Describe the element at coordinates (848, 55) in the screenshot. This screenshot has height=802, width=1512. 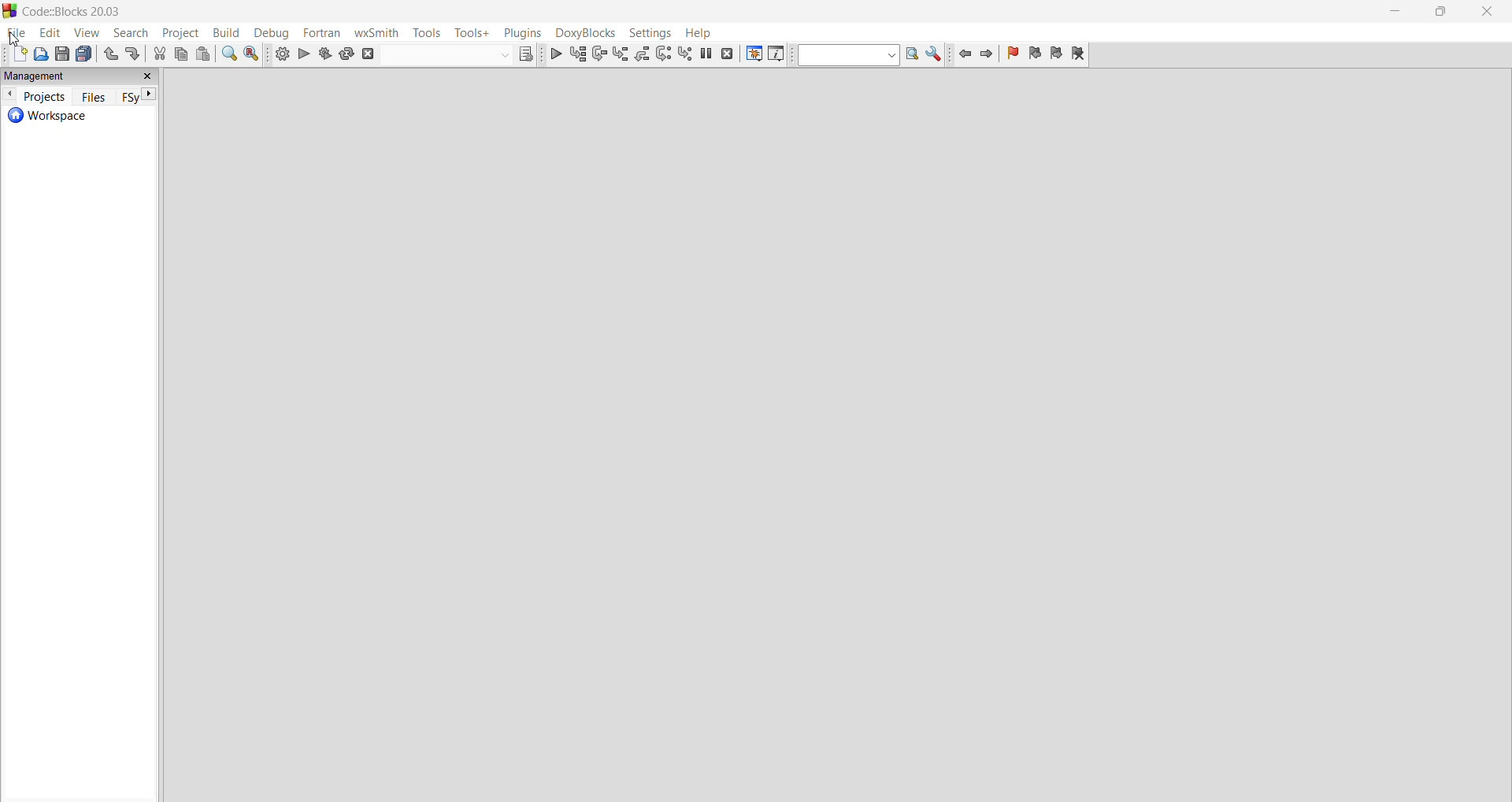
I see `text to search` at that location.